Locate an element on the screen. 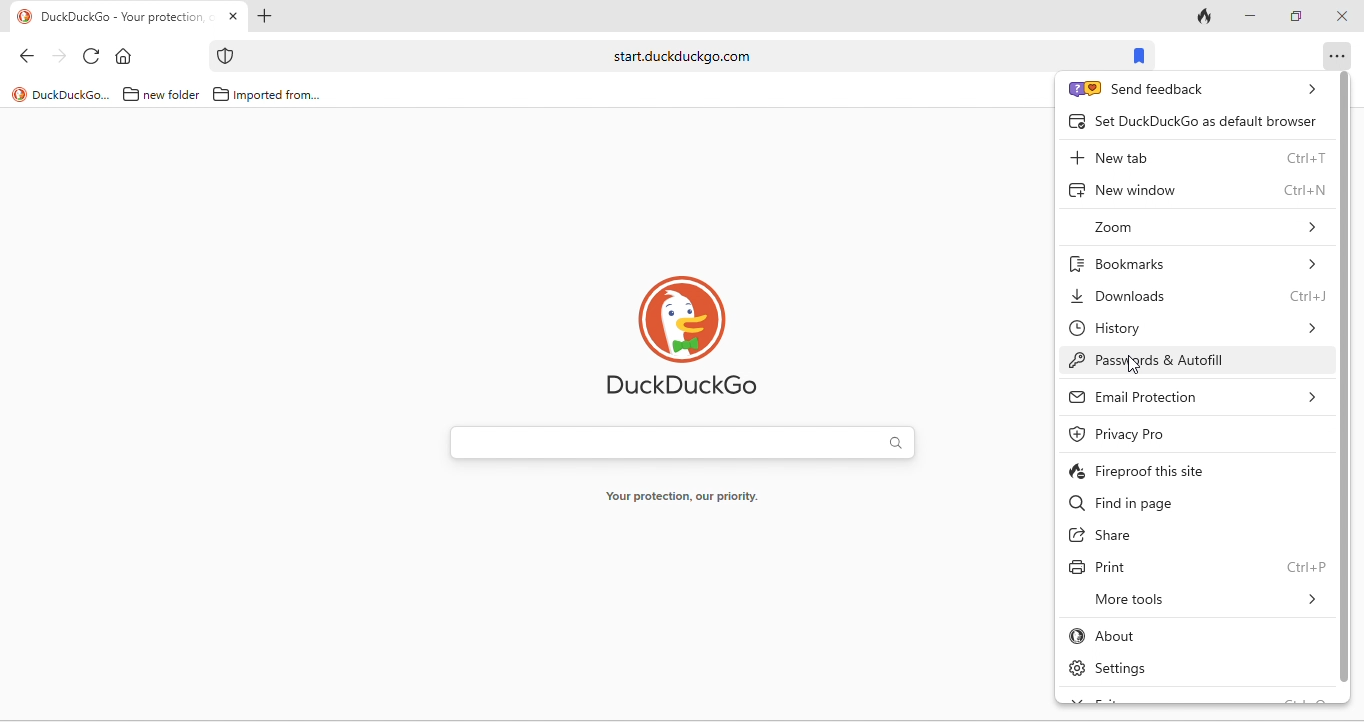 The width and height of the screenshot is (1364, 722). add new tab is located at coordinates (267, 16).